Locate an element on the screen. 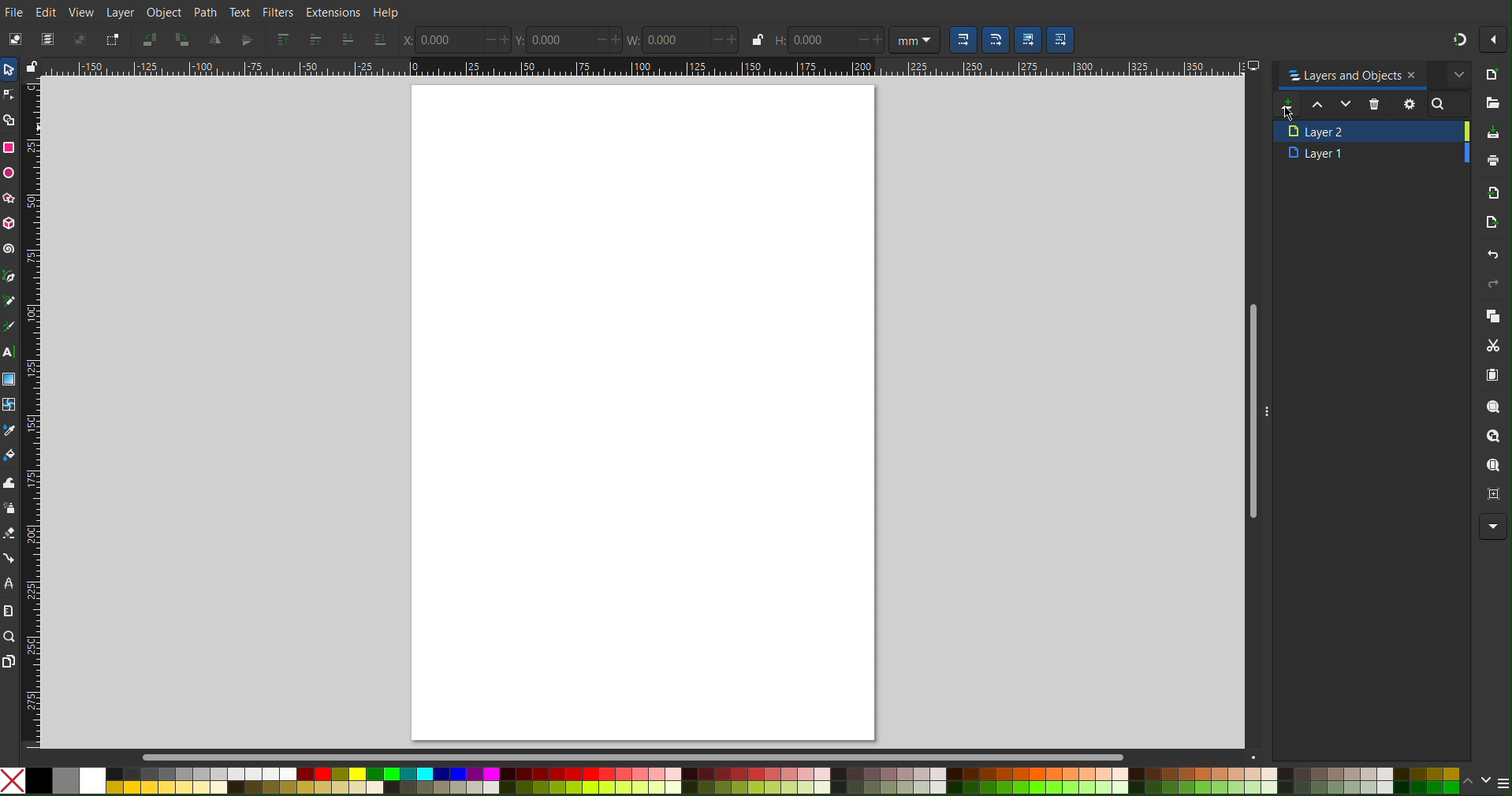 This screenshot has height=796, width=1512. Zoom Object is located at coordinates (1492, 439).